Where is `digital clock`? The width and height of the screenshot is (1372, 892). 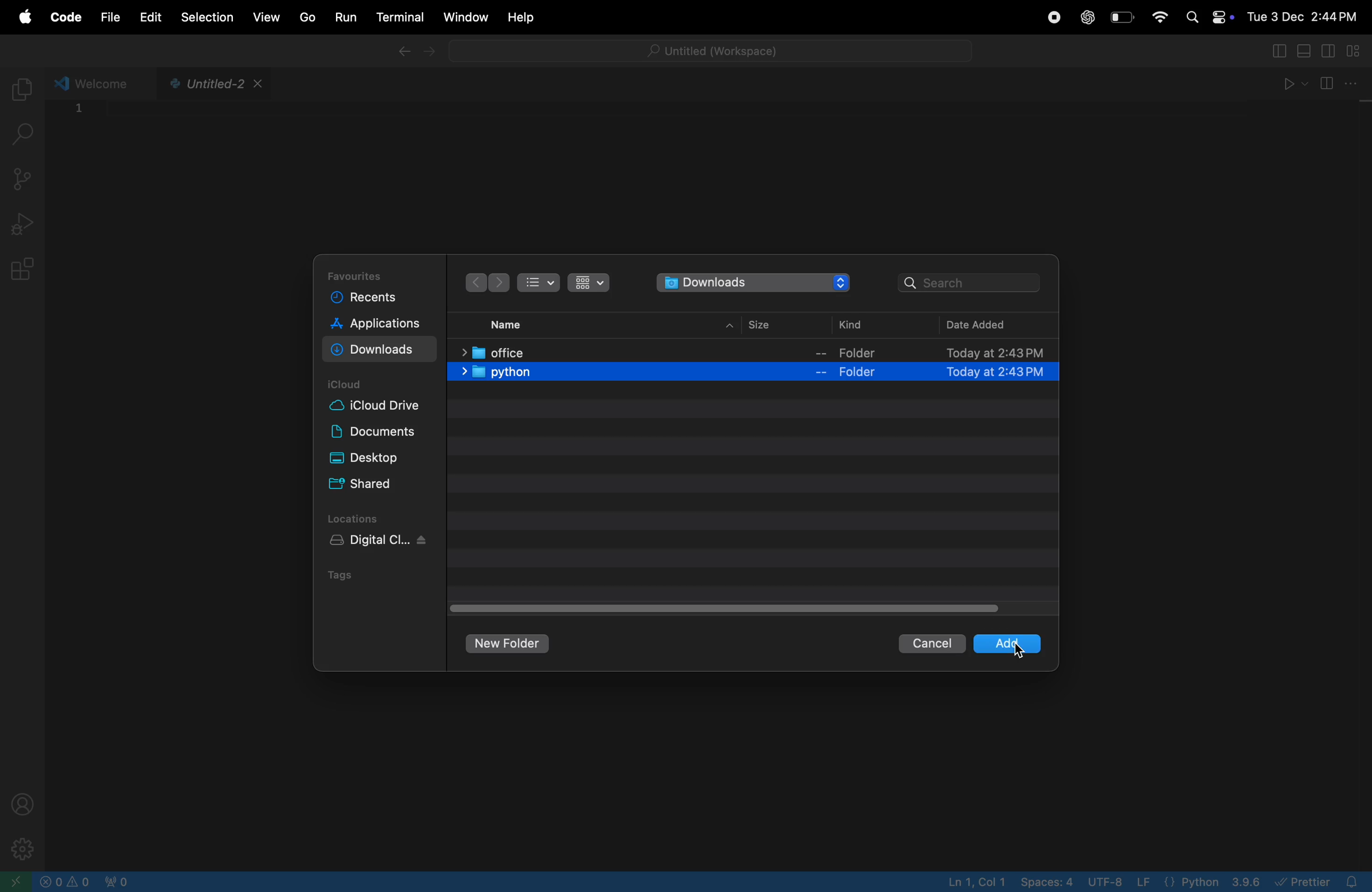 digital clock is located at coordinates (372, 543).